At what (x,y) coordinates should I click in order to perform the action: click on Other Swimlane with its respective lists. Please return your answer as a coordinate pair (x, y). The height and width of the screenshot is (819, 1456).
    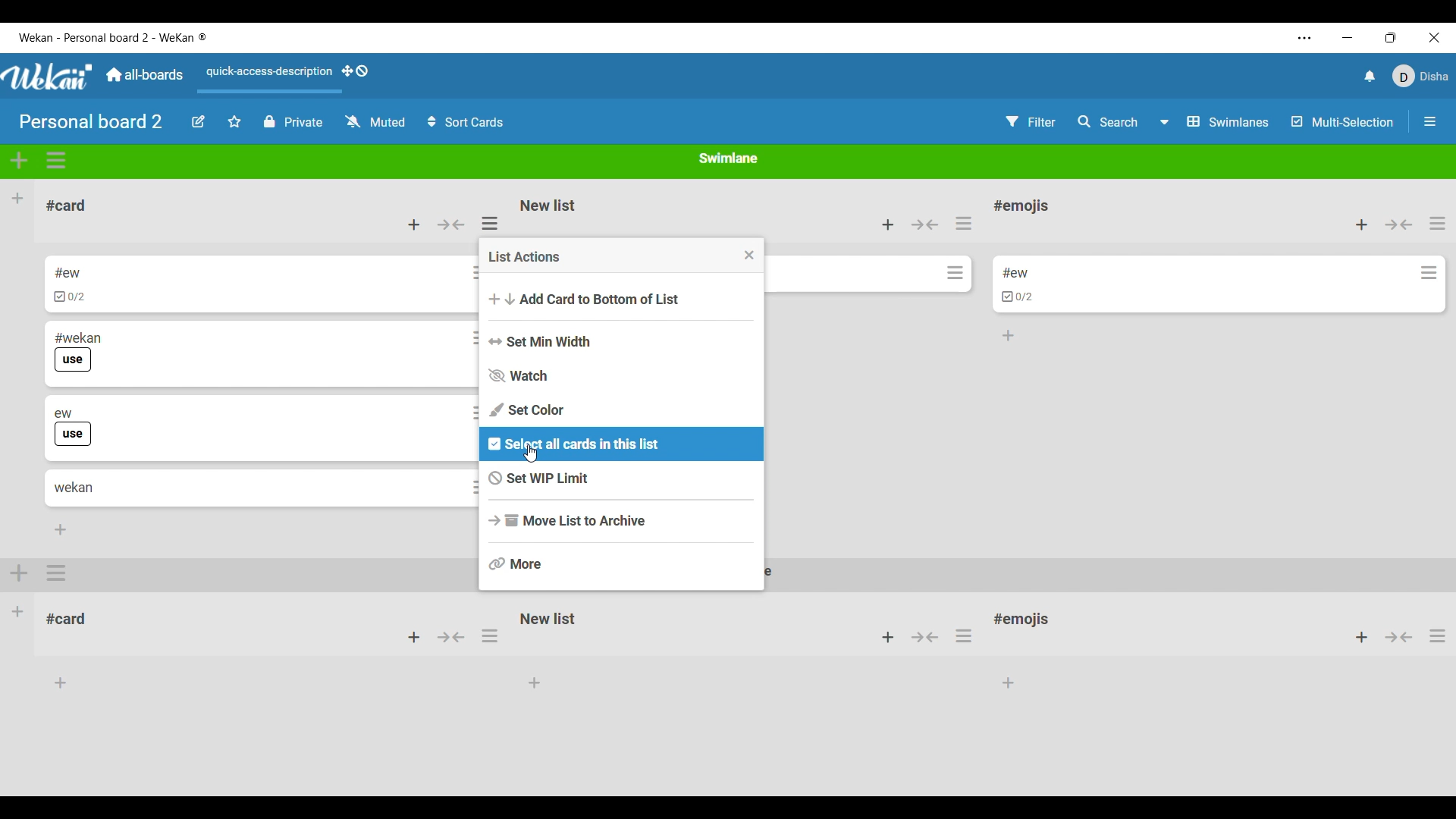
    Looking at the image, I should click on (237, 626).